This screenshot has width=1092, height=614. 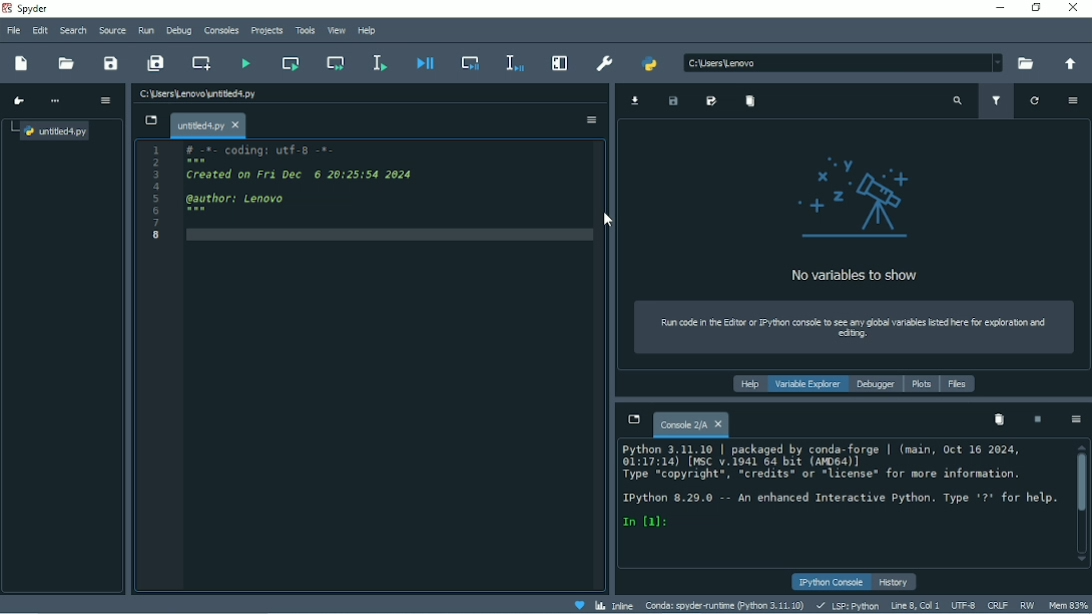 I want to click on Consoles, so click(x=221, y=30).